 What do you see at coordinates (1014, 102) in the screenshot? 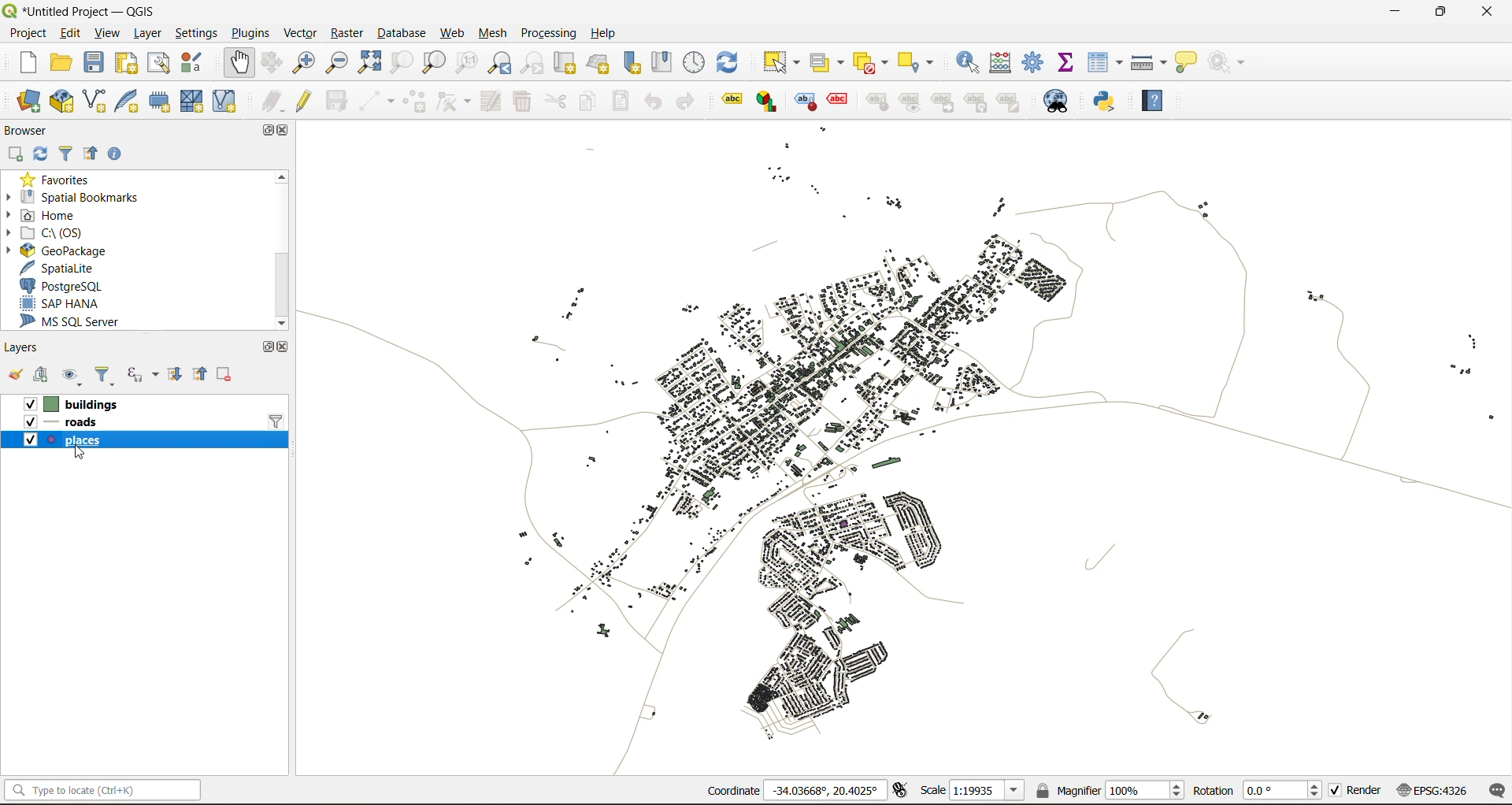
I see `change label properties` at bounding box center [1014, 102].